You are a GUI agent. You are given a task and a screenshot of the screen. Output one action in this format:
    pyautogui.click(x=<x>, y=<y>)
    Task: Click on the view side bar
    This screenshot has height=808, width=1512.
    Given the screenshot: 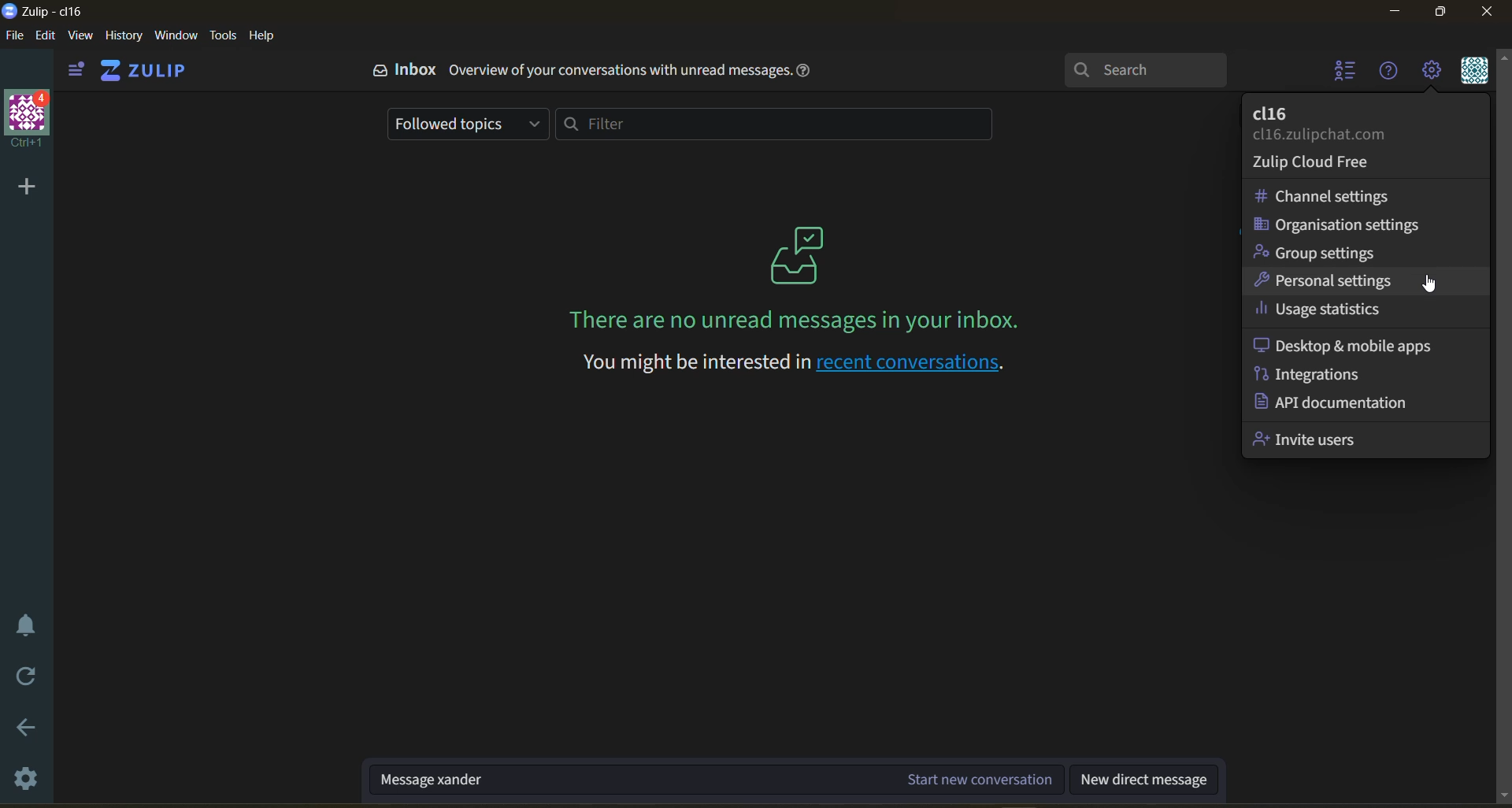 What is the action you would take?
    pyautogui.click(x=79, y=71)
    